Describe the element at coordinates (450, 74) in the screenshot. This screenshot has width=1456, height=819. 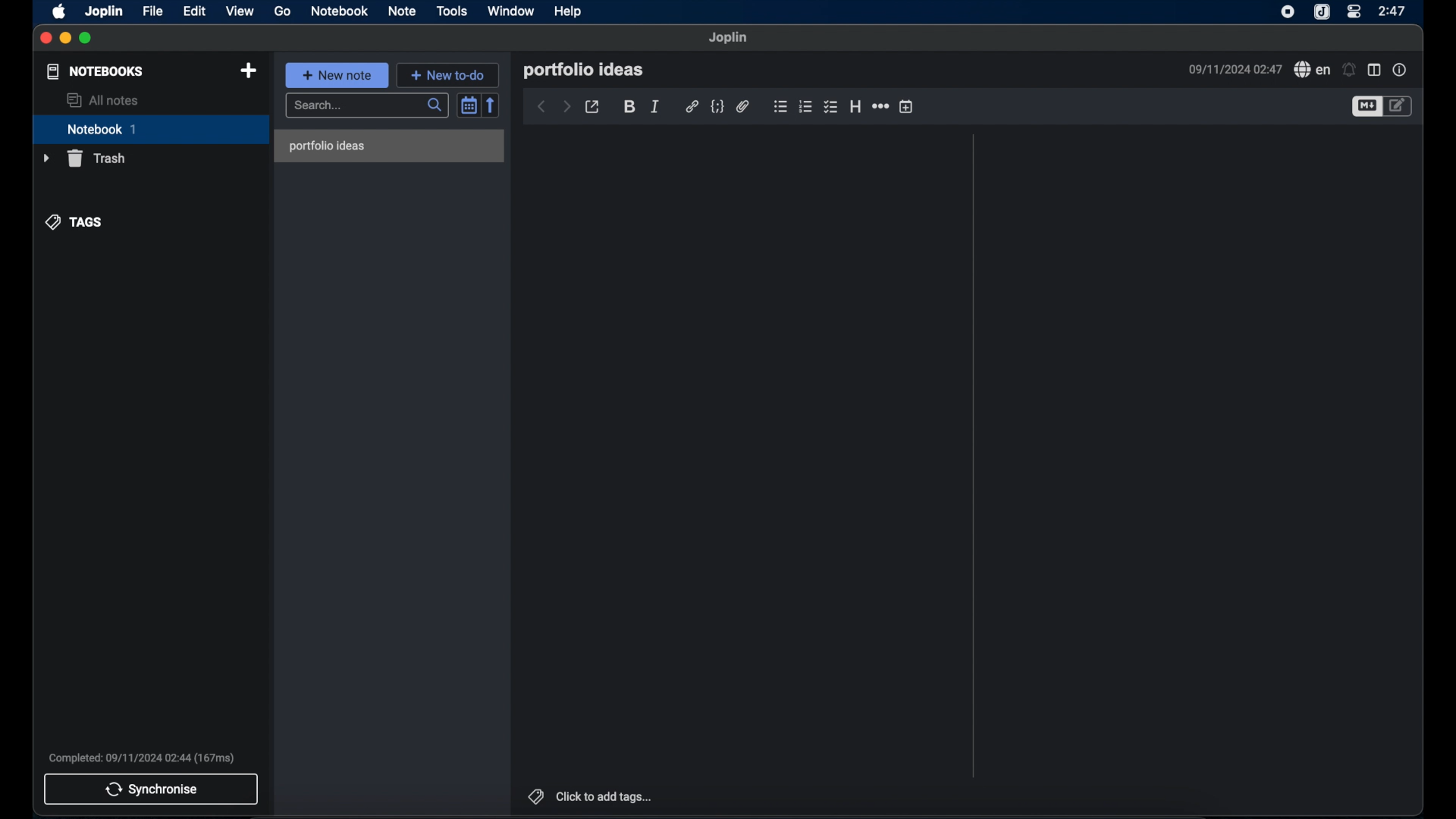
I see `new to-do` at that location.